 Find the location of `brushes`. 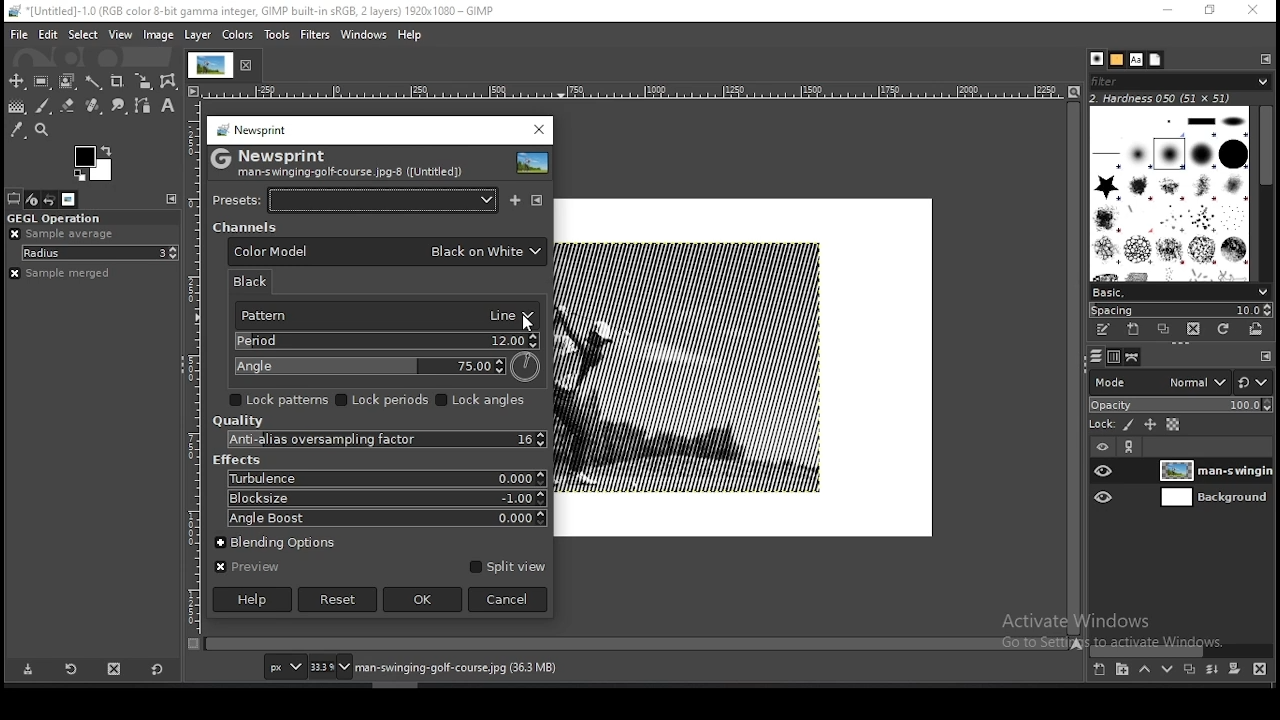

brushes is located at coordinates (1096, 58).